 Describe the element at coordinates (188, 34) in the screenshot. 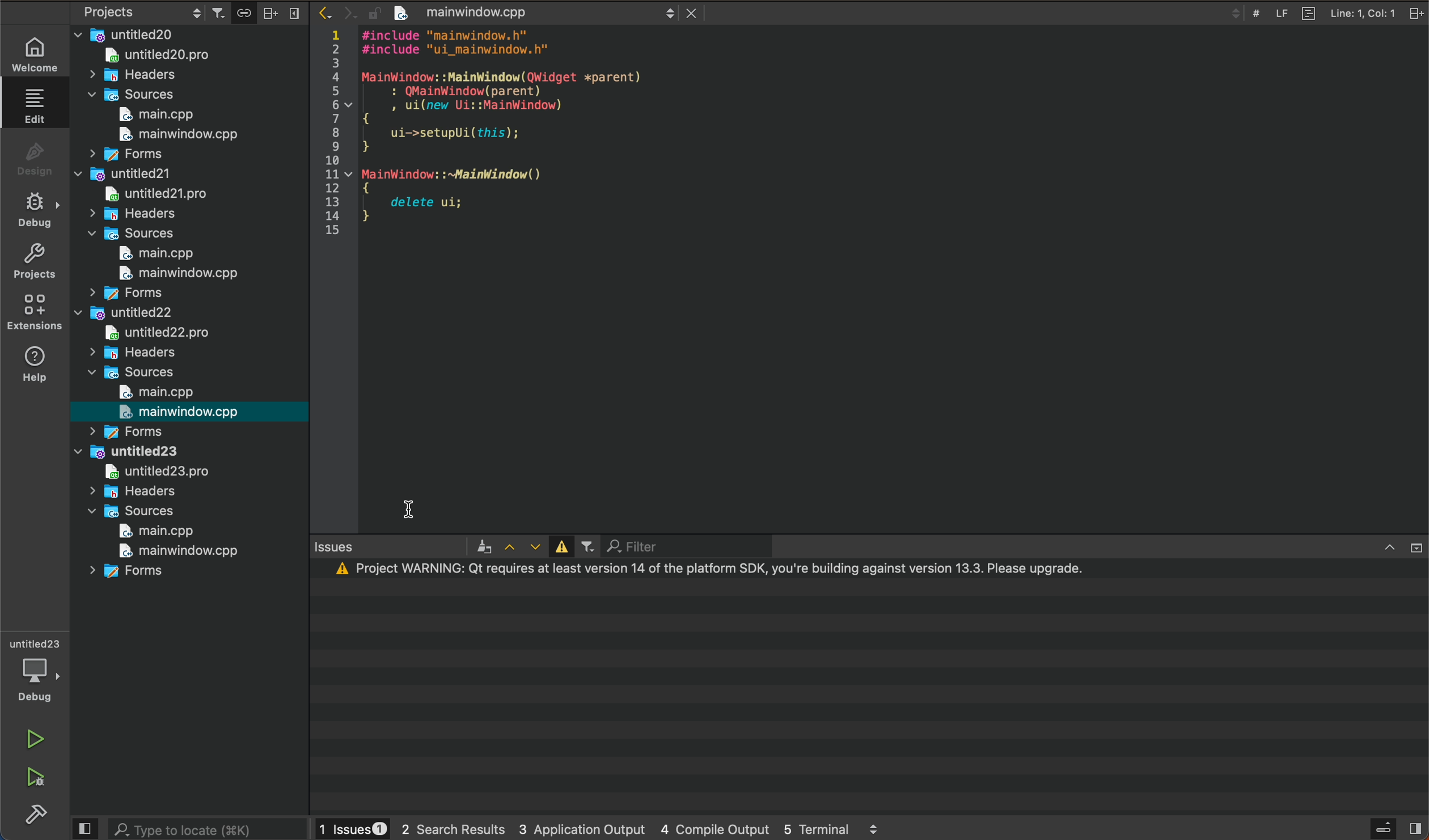

I see `files and folders` at that location.